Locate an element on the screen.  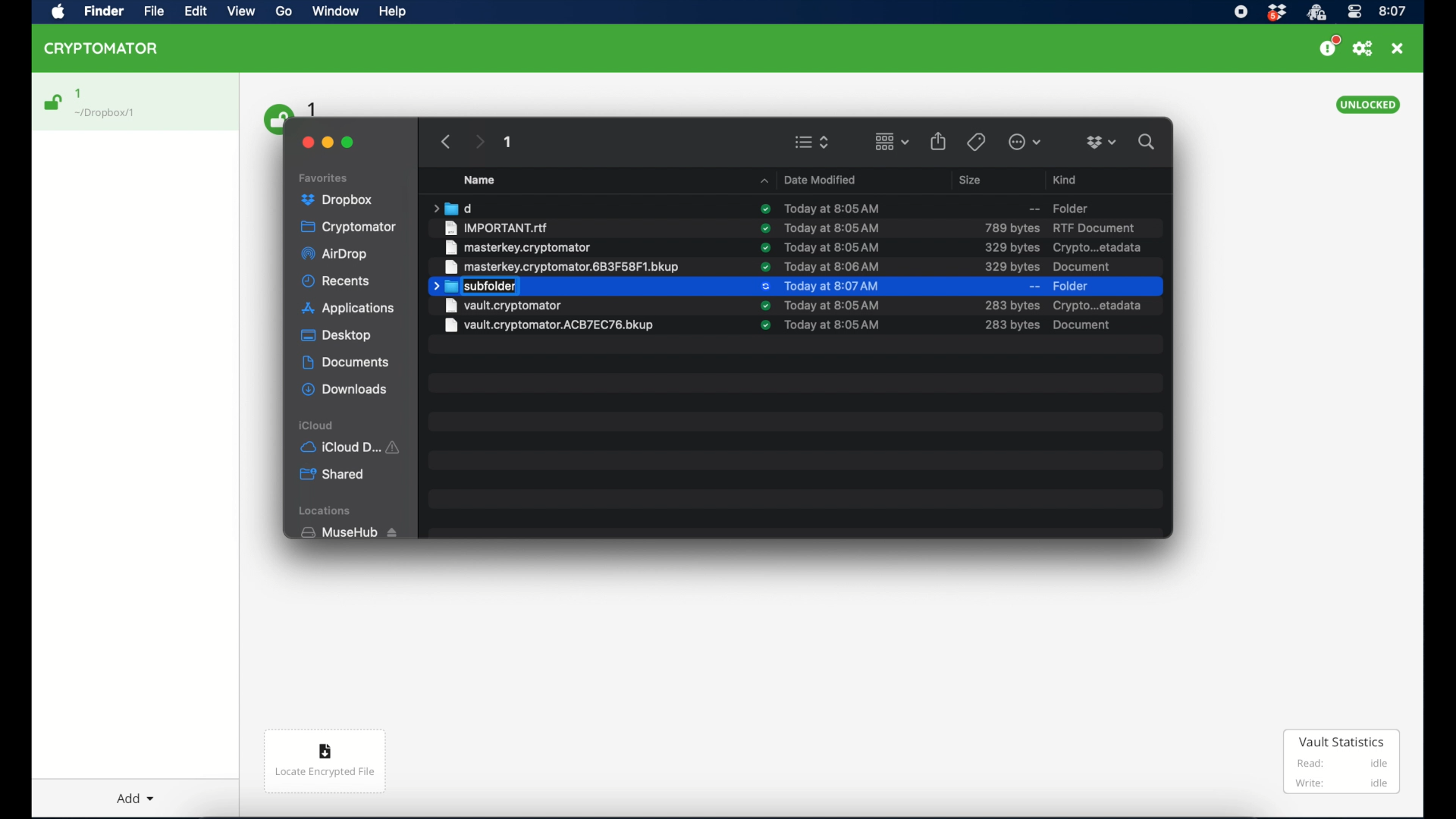
viewing options is located at coordinates (812, 142).